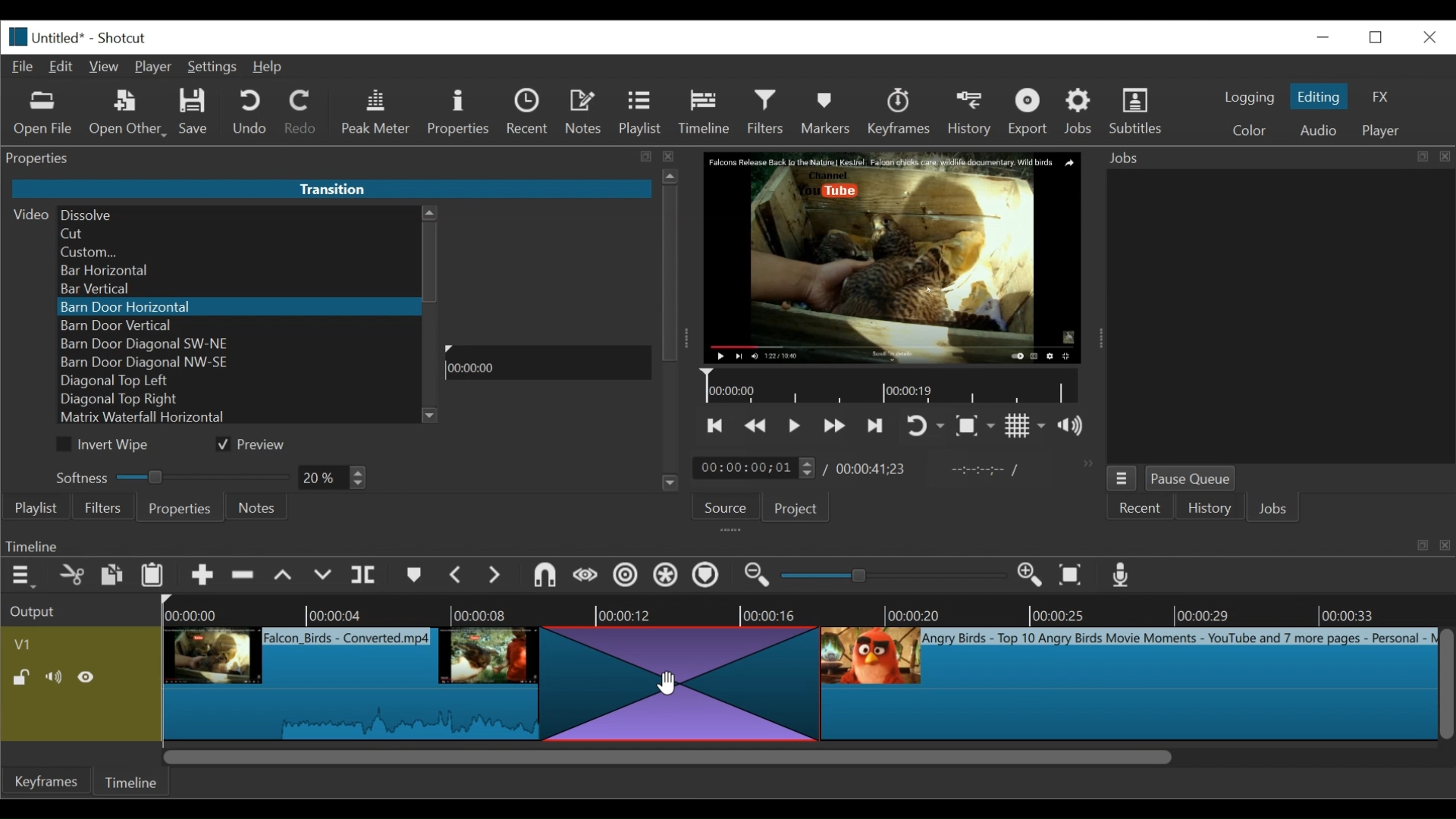 The height and width of the screenshot is (819, 1456). What do you see at coordinates (137, 782) in the screenshot?
I see `Timeline` at bounding box center [137, 782].